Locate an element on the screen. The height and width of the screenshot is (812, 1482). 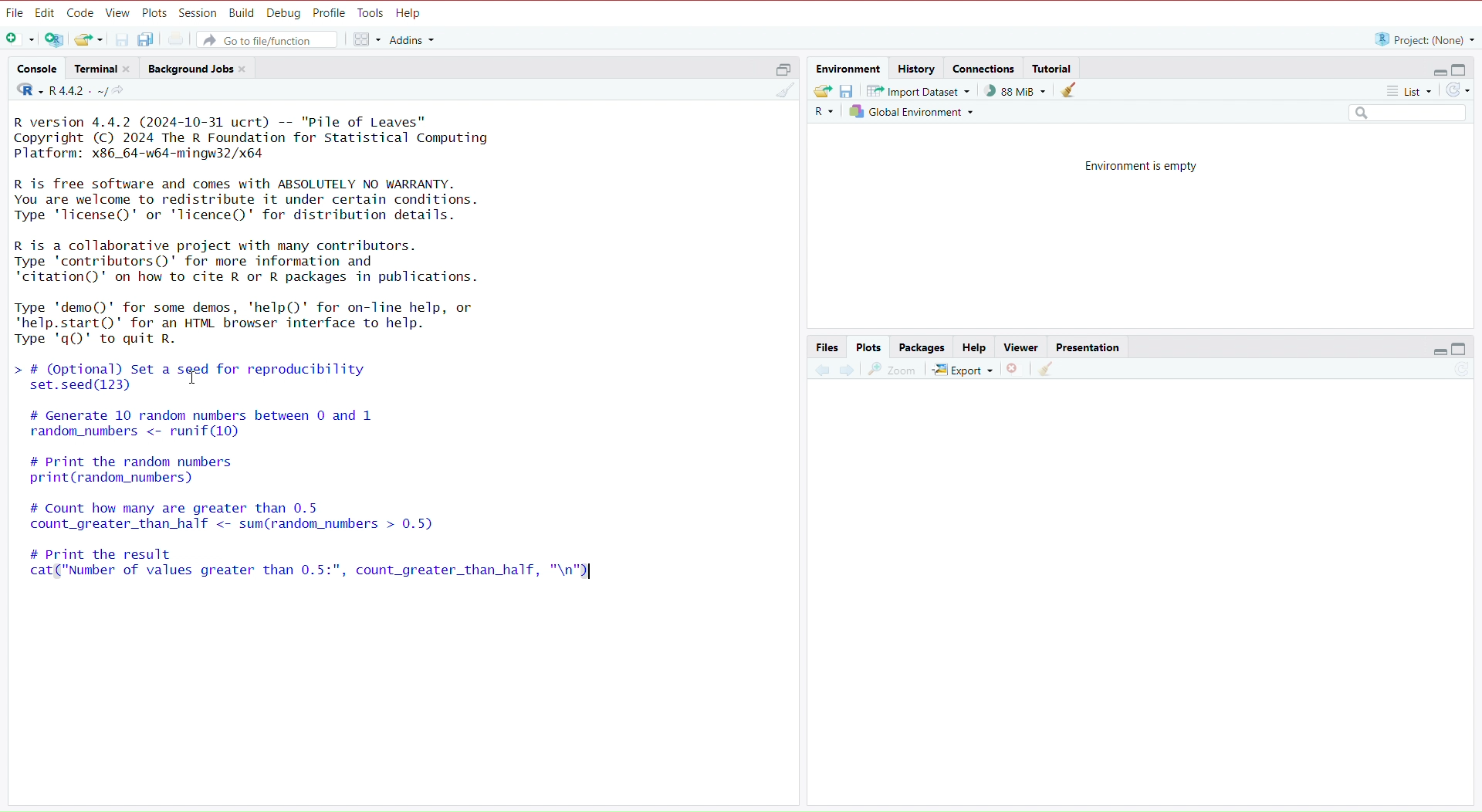
Search is located at coordinates (1405, 112).